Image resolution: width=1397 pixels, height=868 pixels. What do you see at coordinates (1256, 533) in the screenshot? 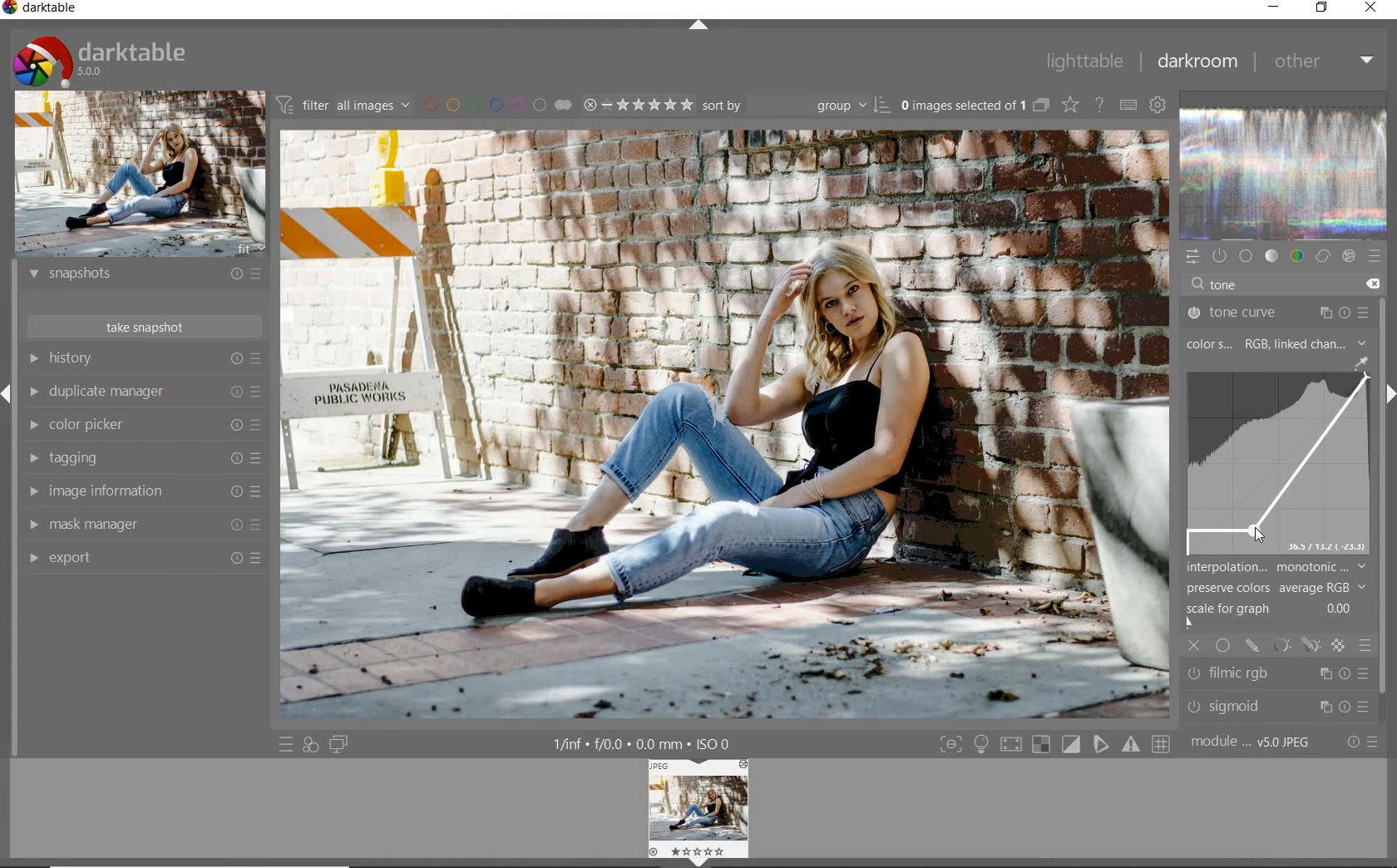
I see `cursor position` at bounding box center [1256, 533].